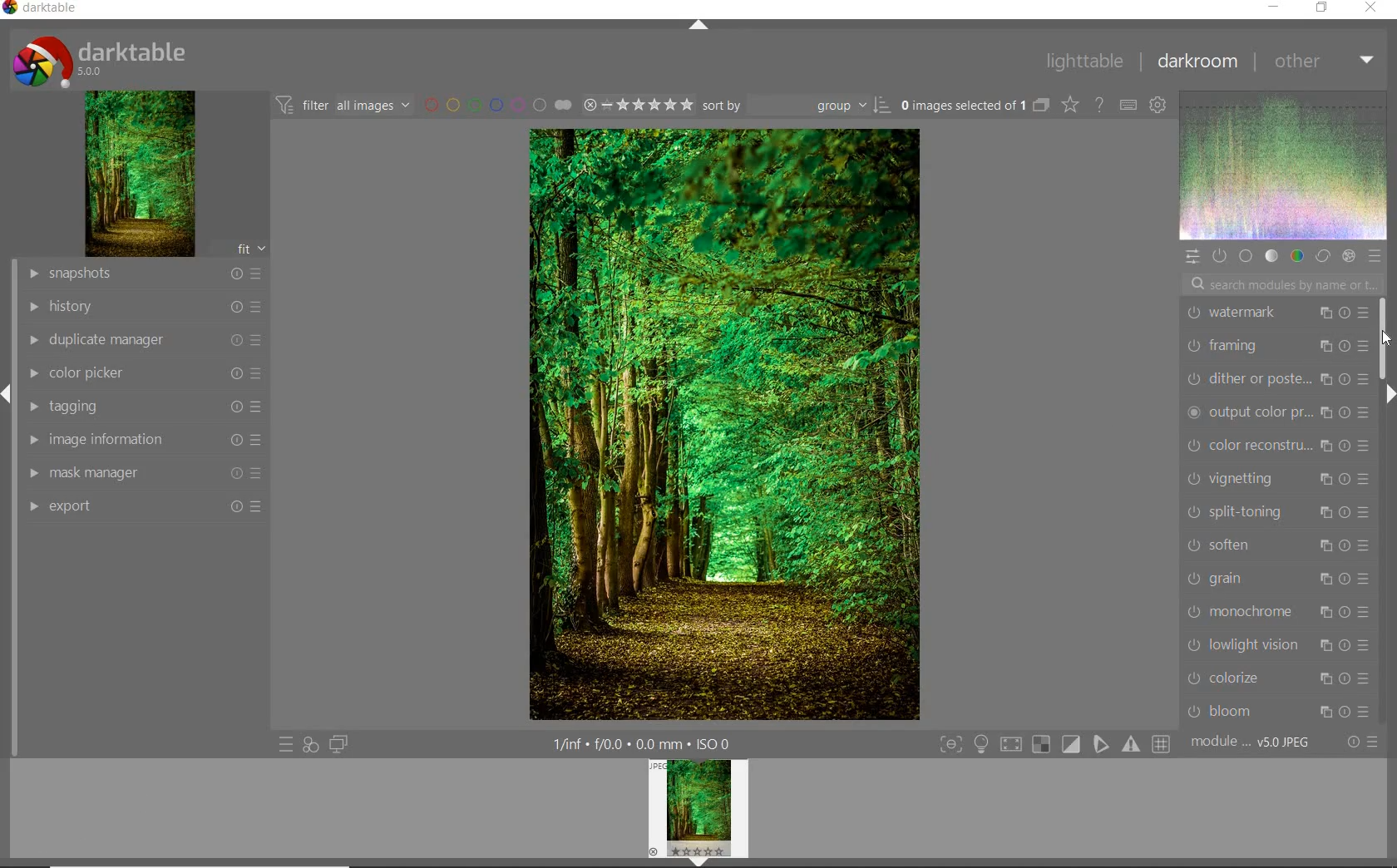 The width and height of the screenshot is (1397, 868). I want to click on OUTPUT COLOR PRESET, so click(1276, 413).